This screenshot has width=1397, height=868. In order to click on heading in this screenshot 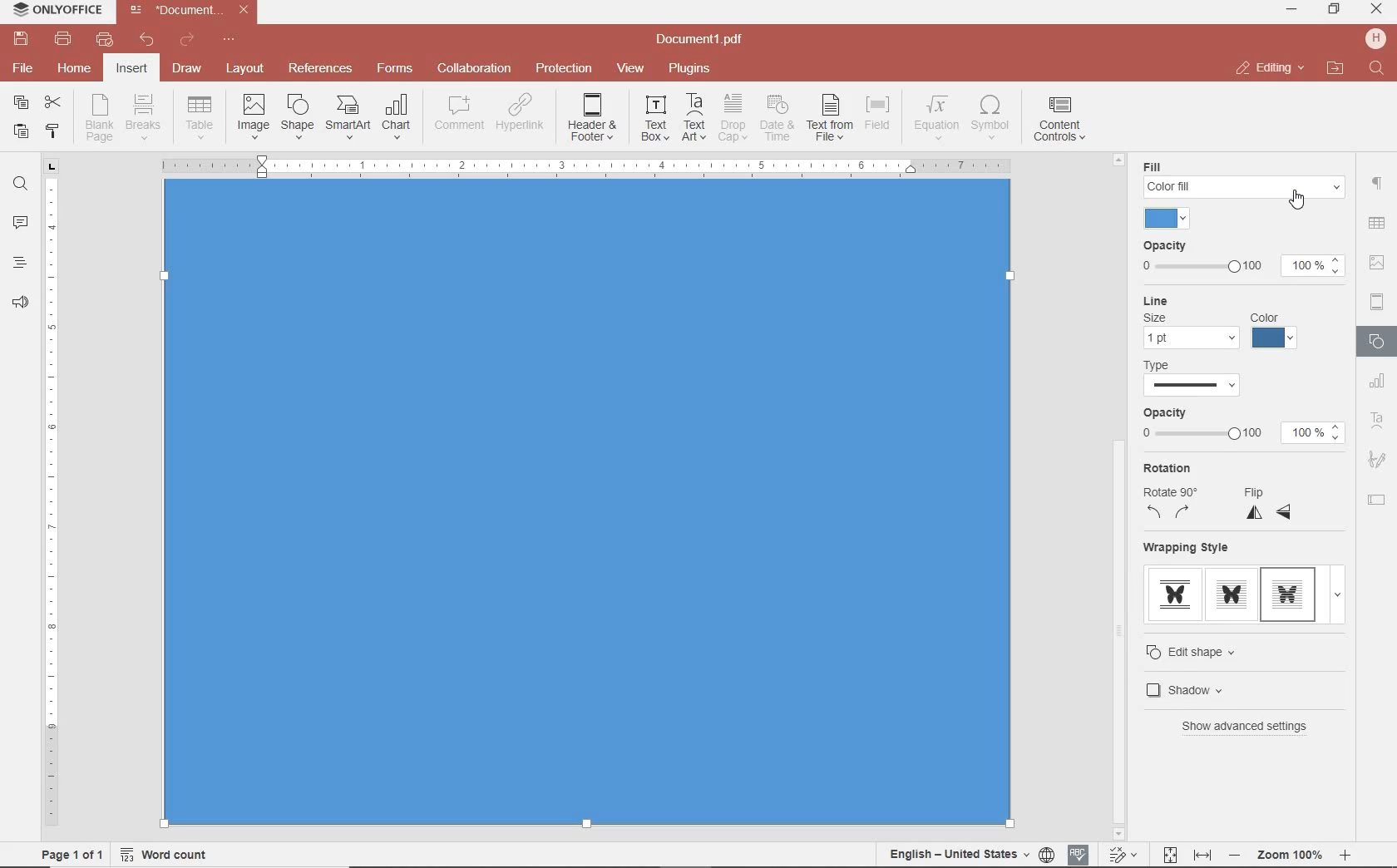, I will do `click(20, 262)`.